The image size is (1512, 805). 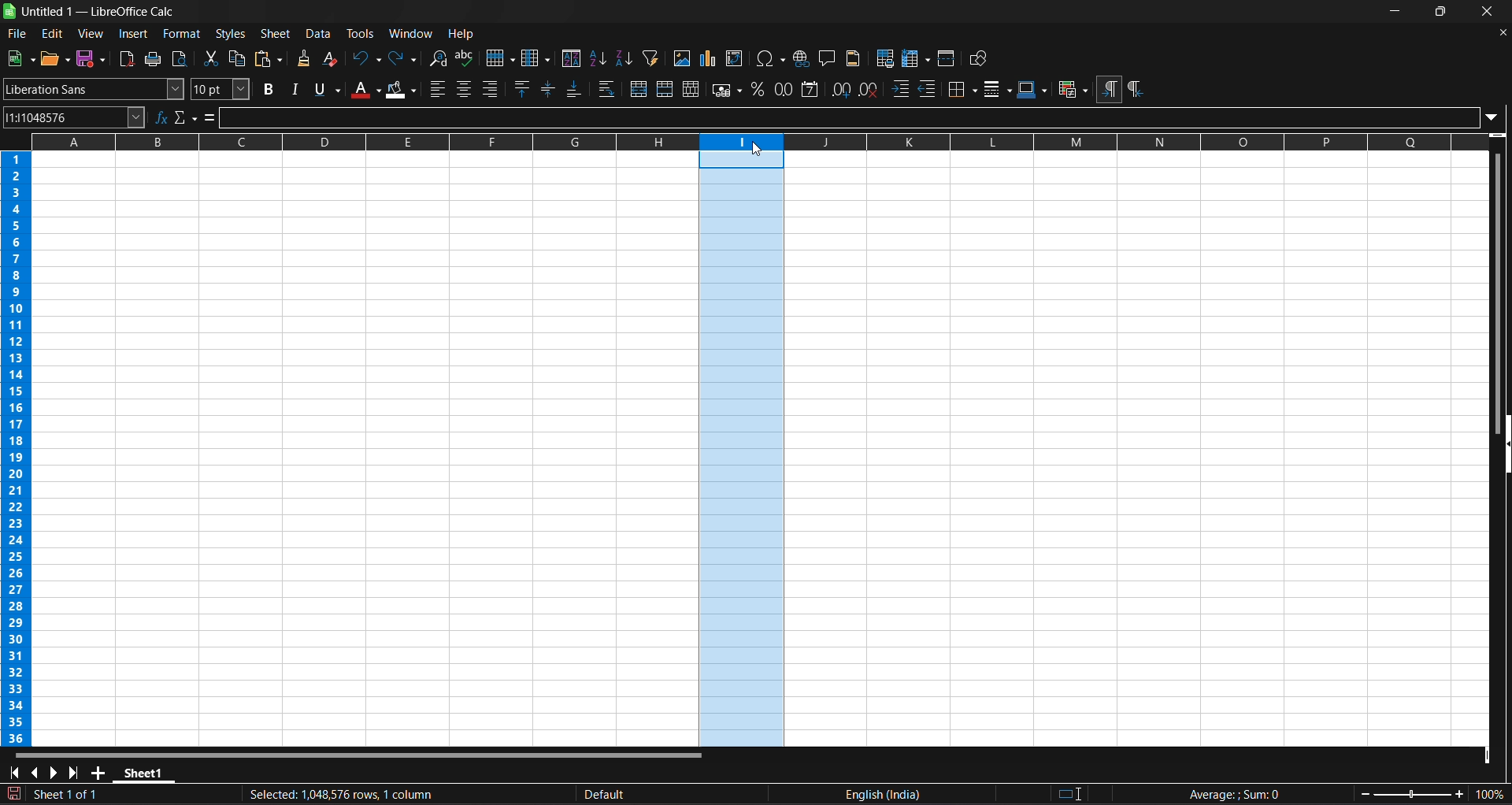 What do you see at coordinates (610, 89) in the screenshot?
I see `wrap text` at bounding box center [610, 89].